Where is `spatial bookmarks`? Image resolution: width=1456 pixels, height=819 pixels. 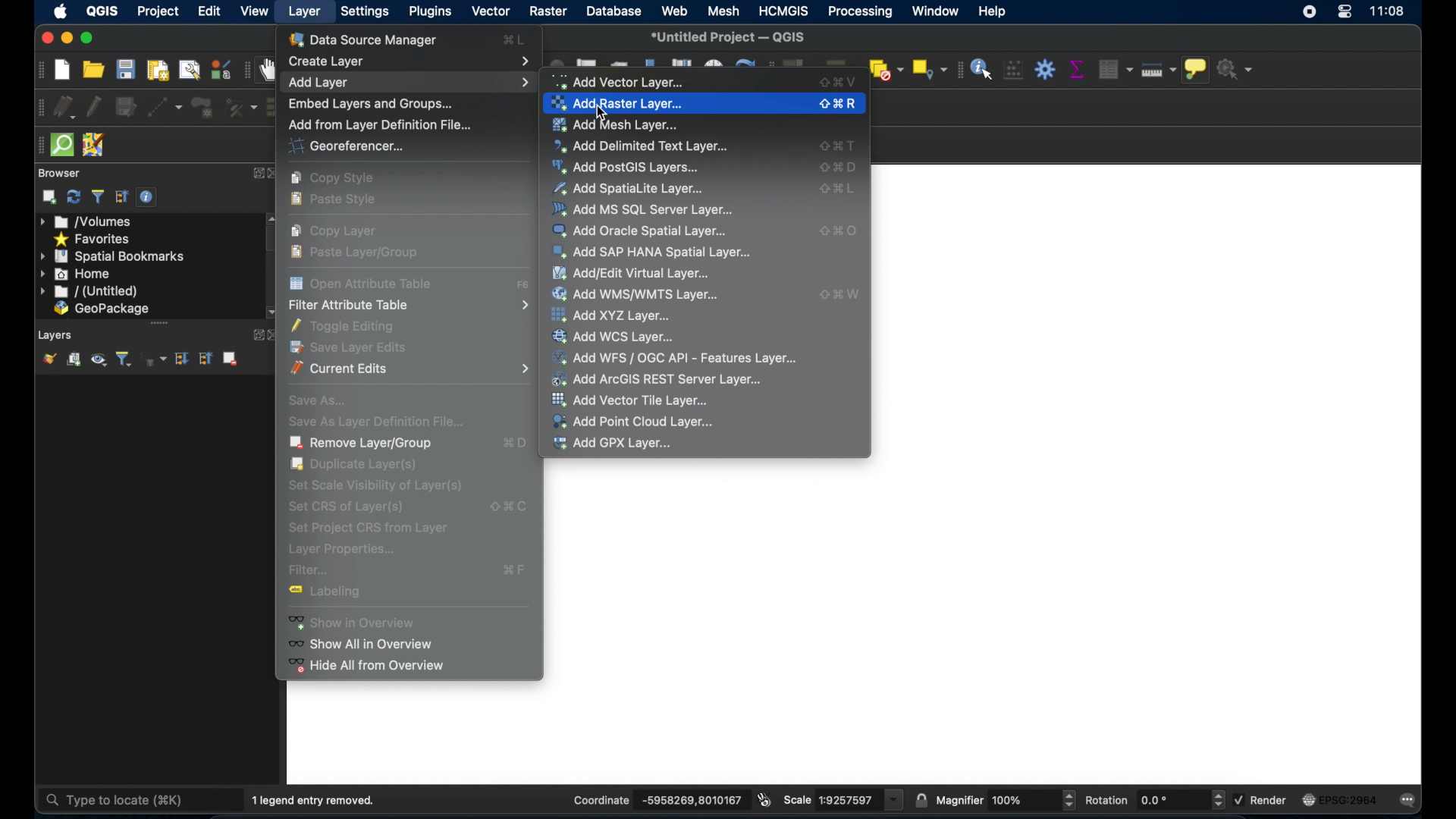
spatial bookmarks is located at coordinates (113, 256).